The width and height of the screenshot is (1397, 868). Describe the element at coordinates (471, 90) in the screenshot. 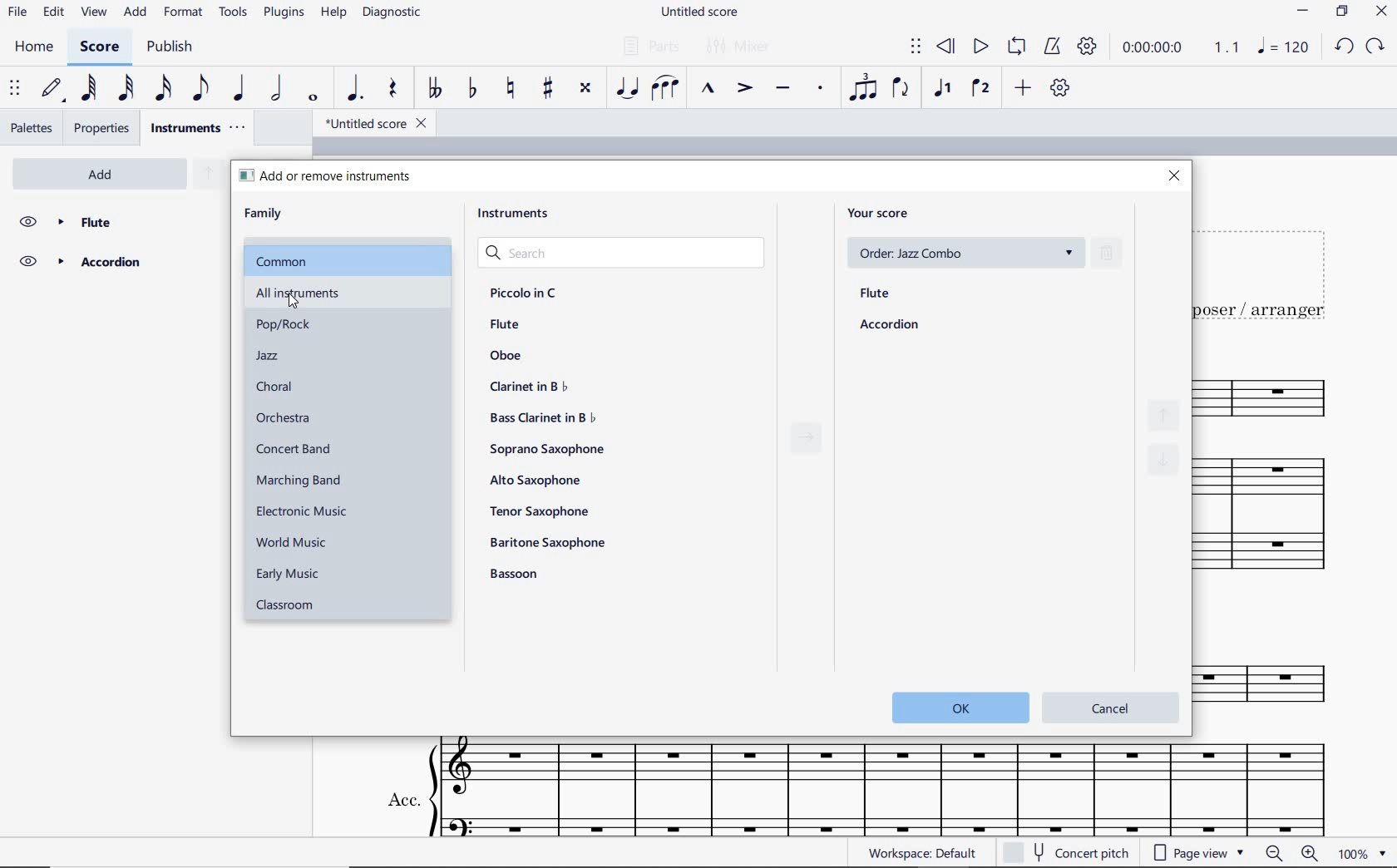

I see `toggle flat` at that location.